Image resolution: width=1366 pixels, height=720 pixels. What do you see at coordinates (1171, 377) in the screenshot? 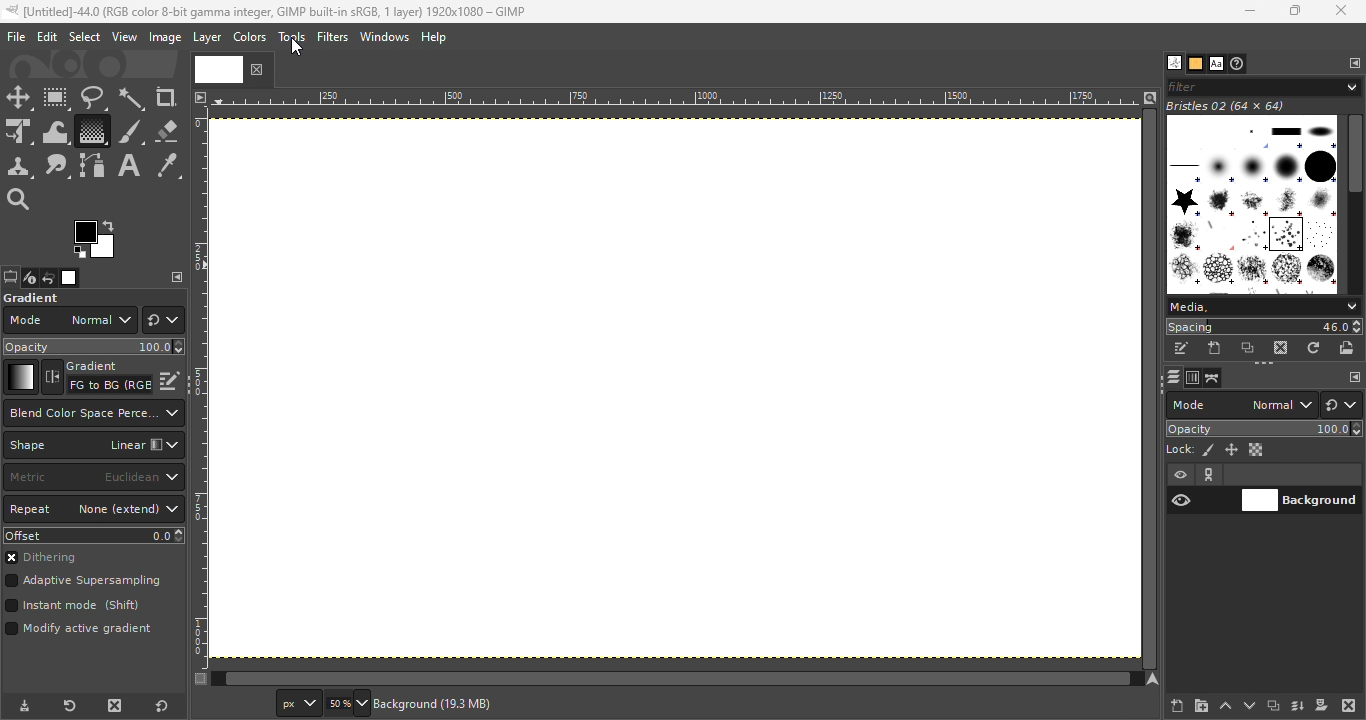
I see `Open the layers dialog` at bounding box center [1171, 377].